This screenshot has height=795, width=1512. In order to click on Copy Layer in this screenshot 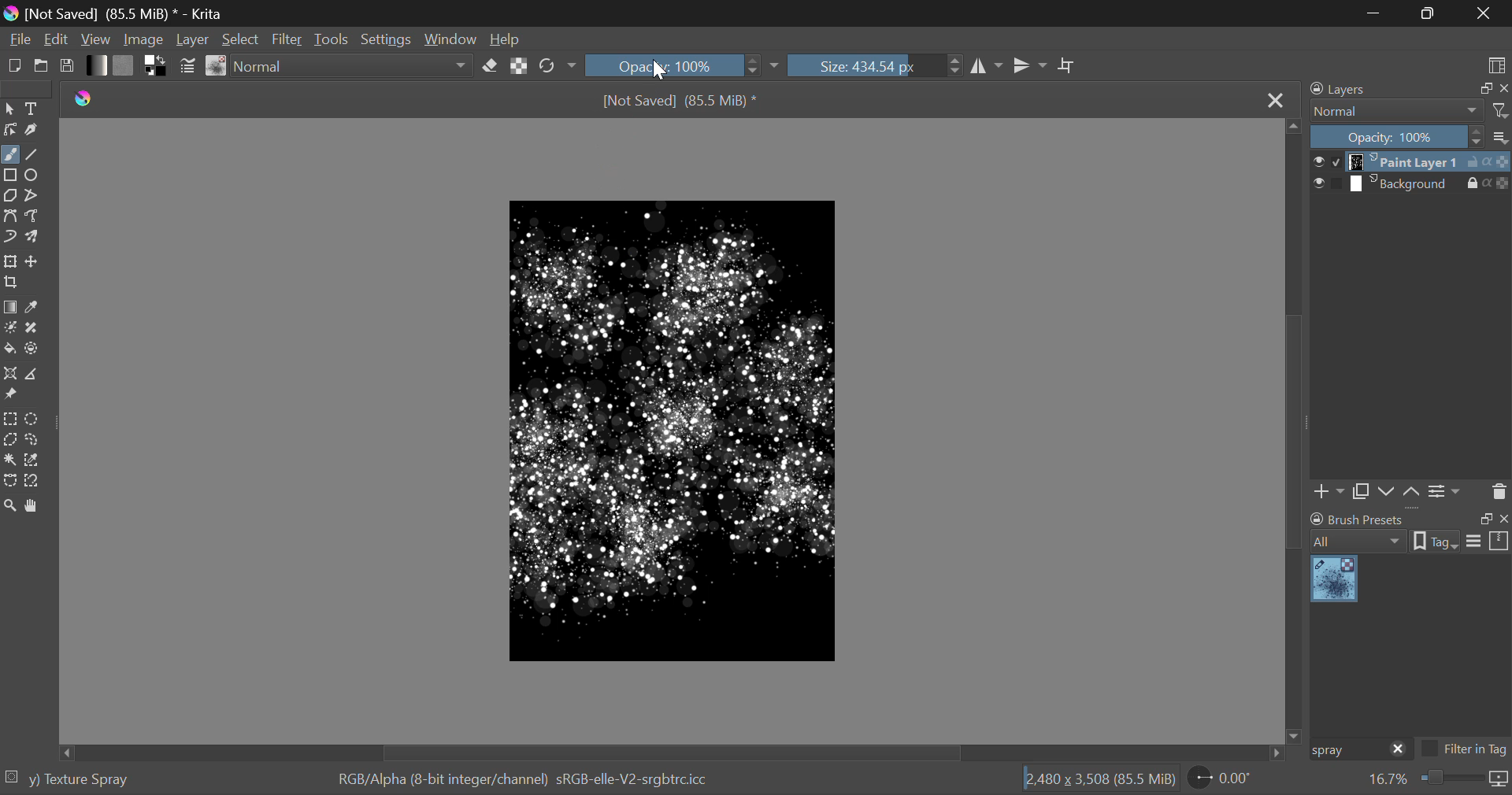, I will do `click(1361, 494)`.